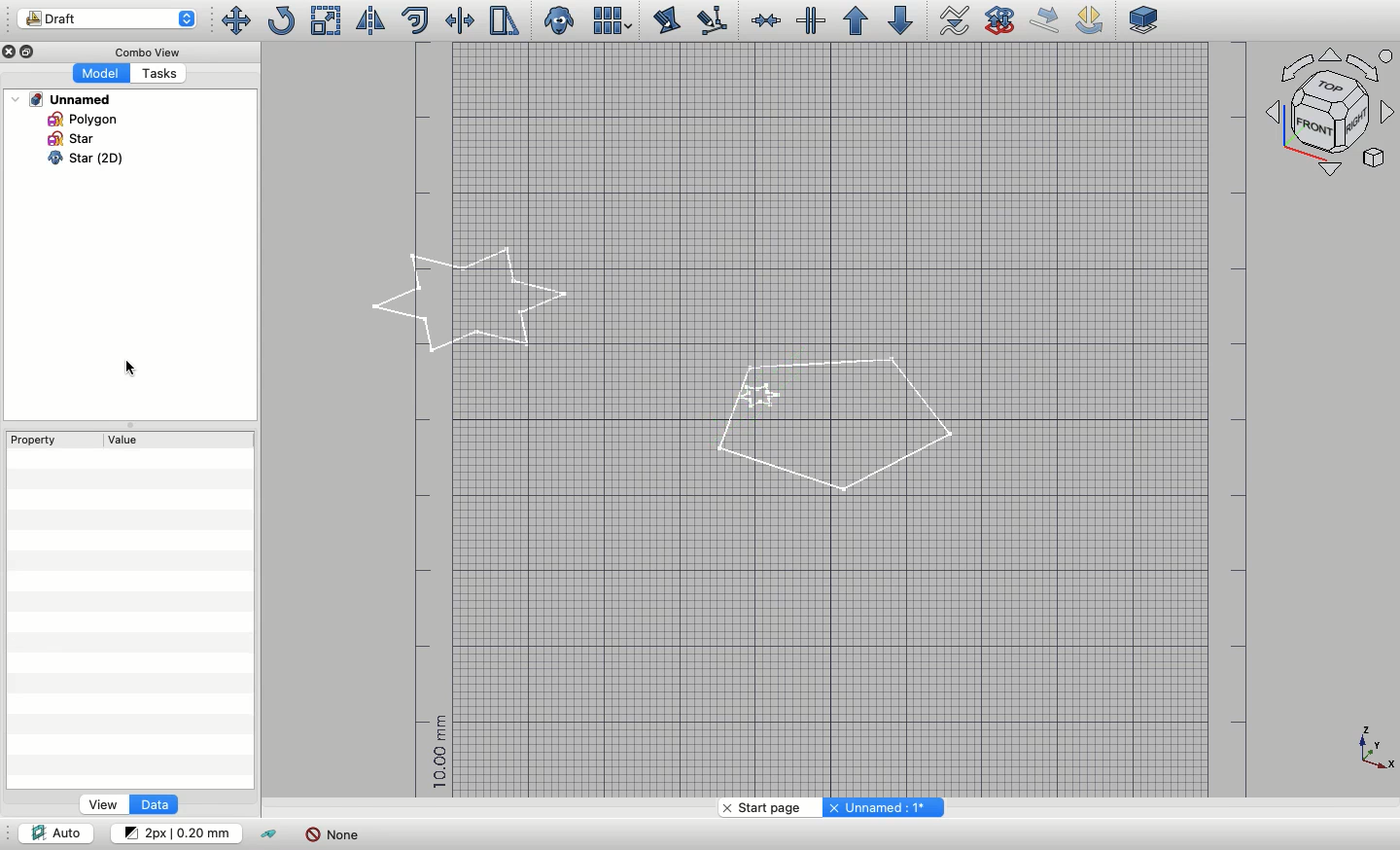 Image resolution: width=1400 pixels, height=850 pixels. I want to click on Join, so click(765, 20).